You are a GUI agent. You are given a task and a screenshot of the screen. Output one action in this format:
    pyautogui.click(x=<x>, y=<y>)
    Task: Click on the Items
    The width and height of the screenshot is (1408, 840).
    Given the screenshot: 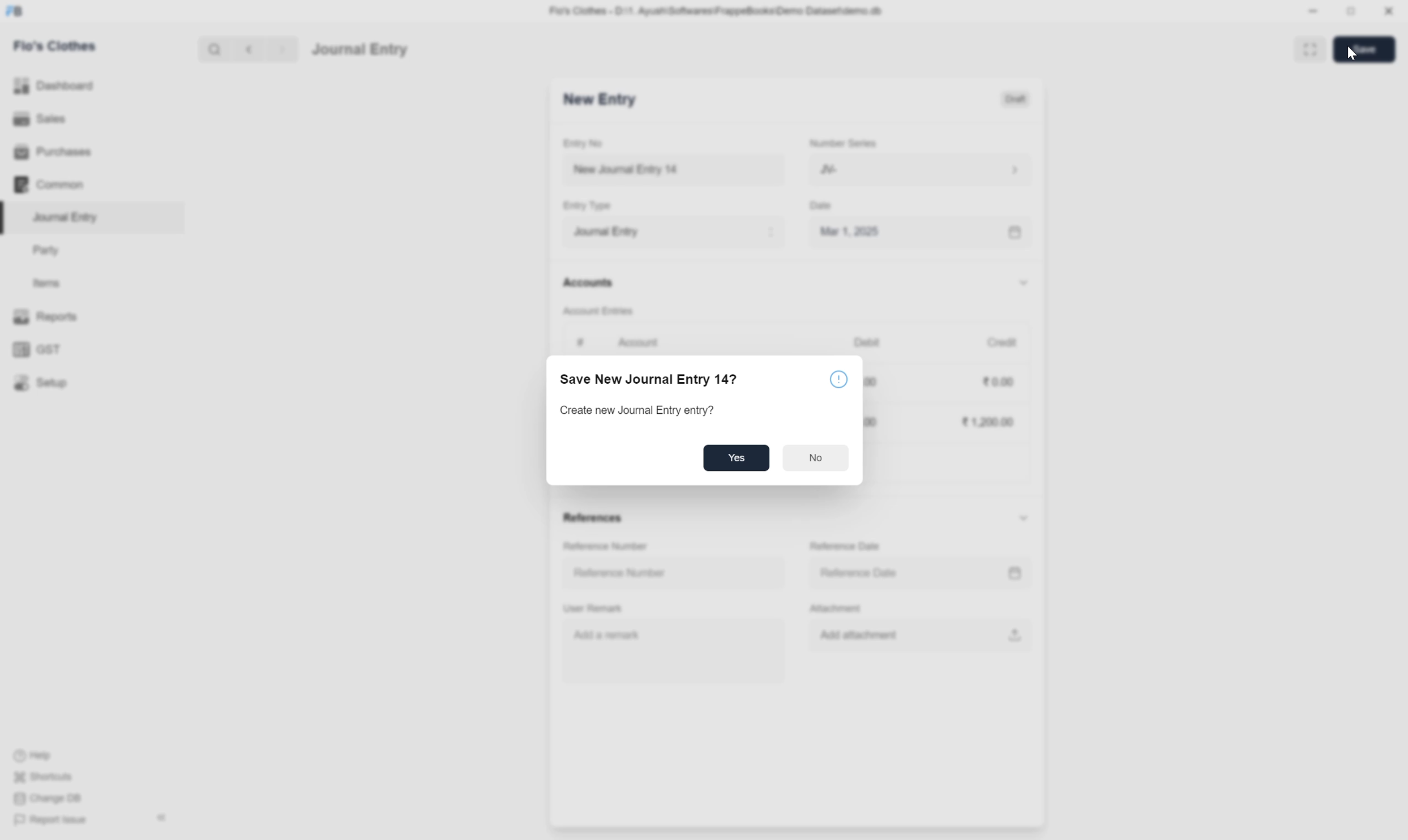 What is the action you would take?
    pyautogui.click(x=46, y=282)
    